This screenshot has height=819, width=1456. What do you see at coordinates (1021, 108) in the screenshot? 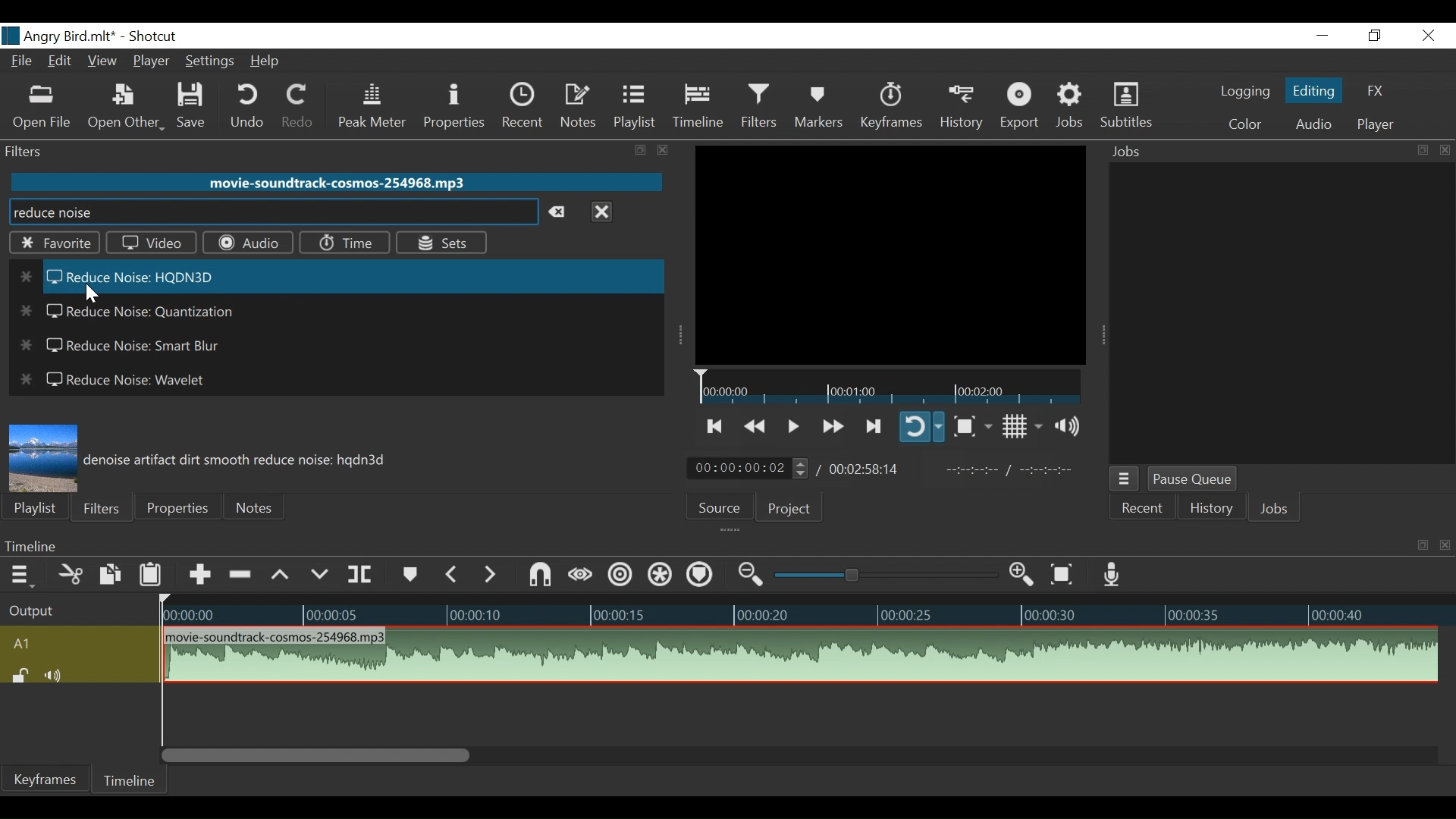
I see `Export` at bounding box center [1021, 108].